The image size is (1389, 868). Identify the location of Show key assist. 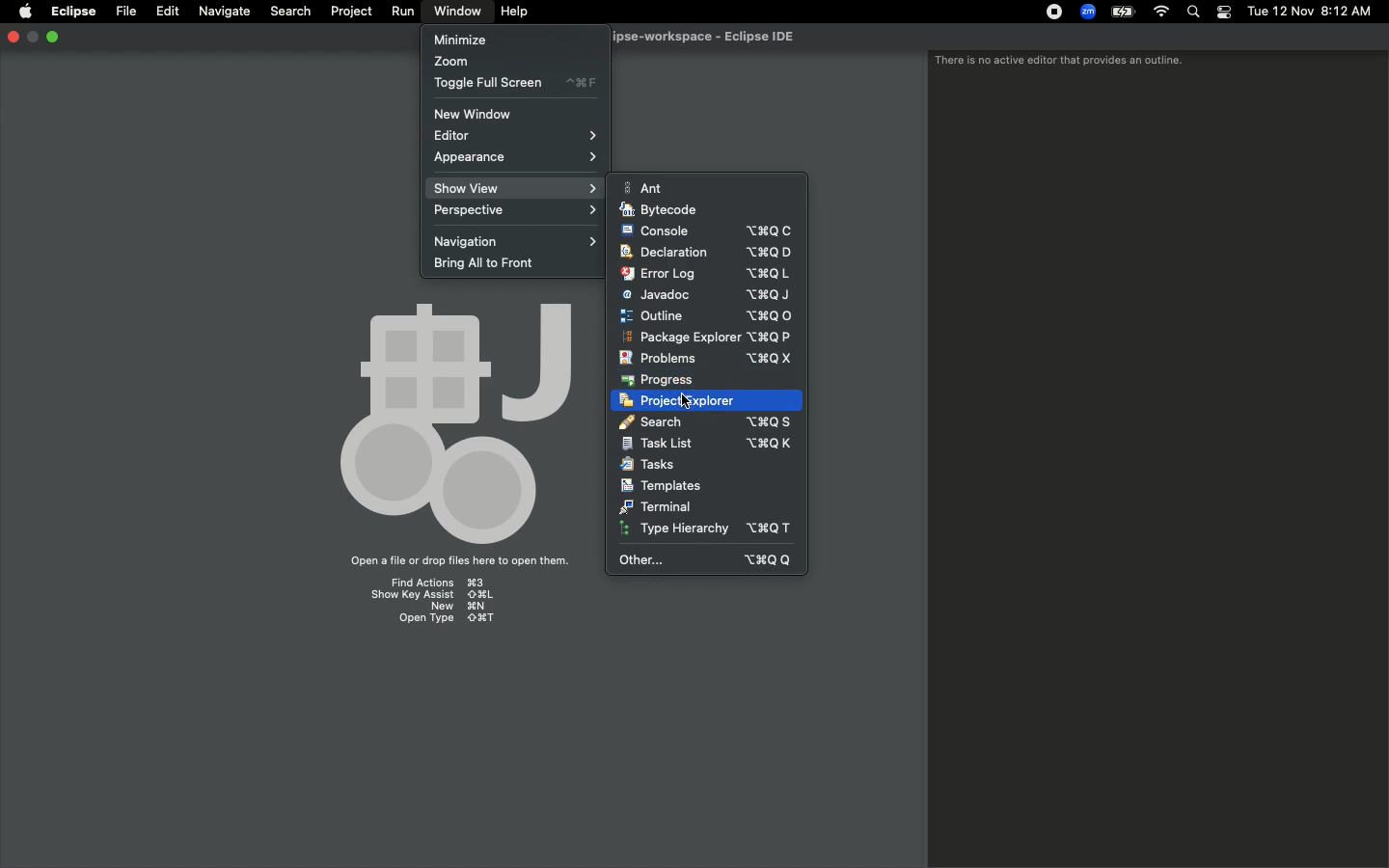
(433, 594).